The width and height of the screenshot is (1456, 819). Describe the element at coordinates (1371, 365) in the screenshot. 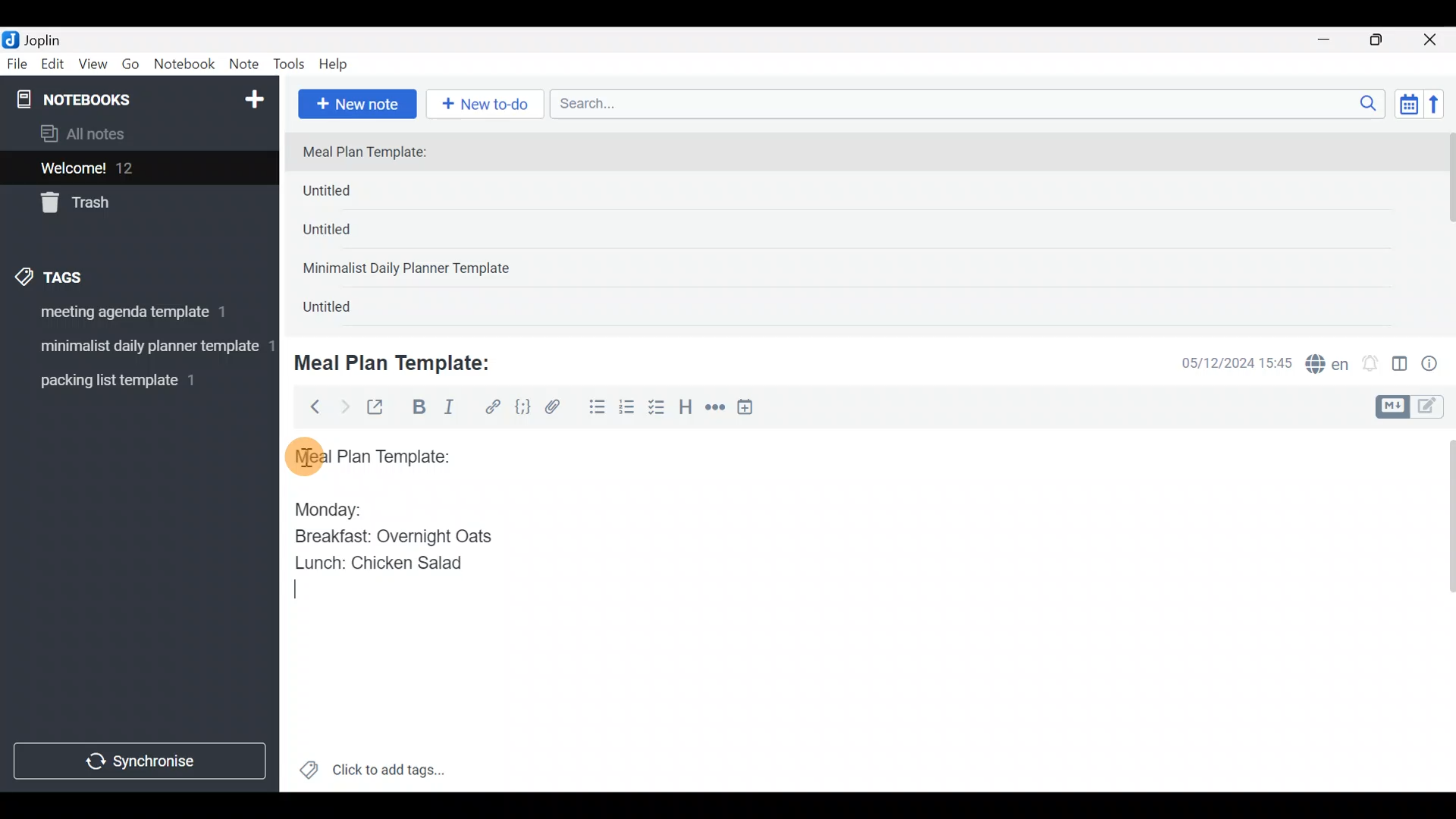

I see `Set alarm` at that location.